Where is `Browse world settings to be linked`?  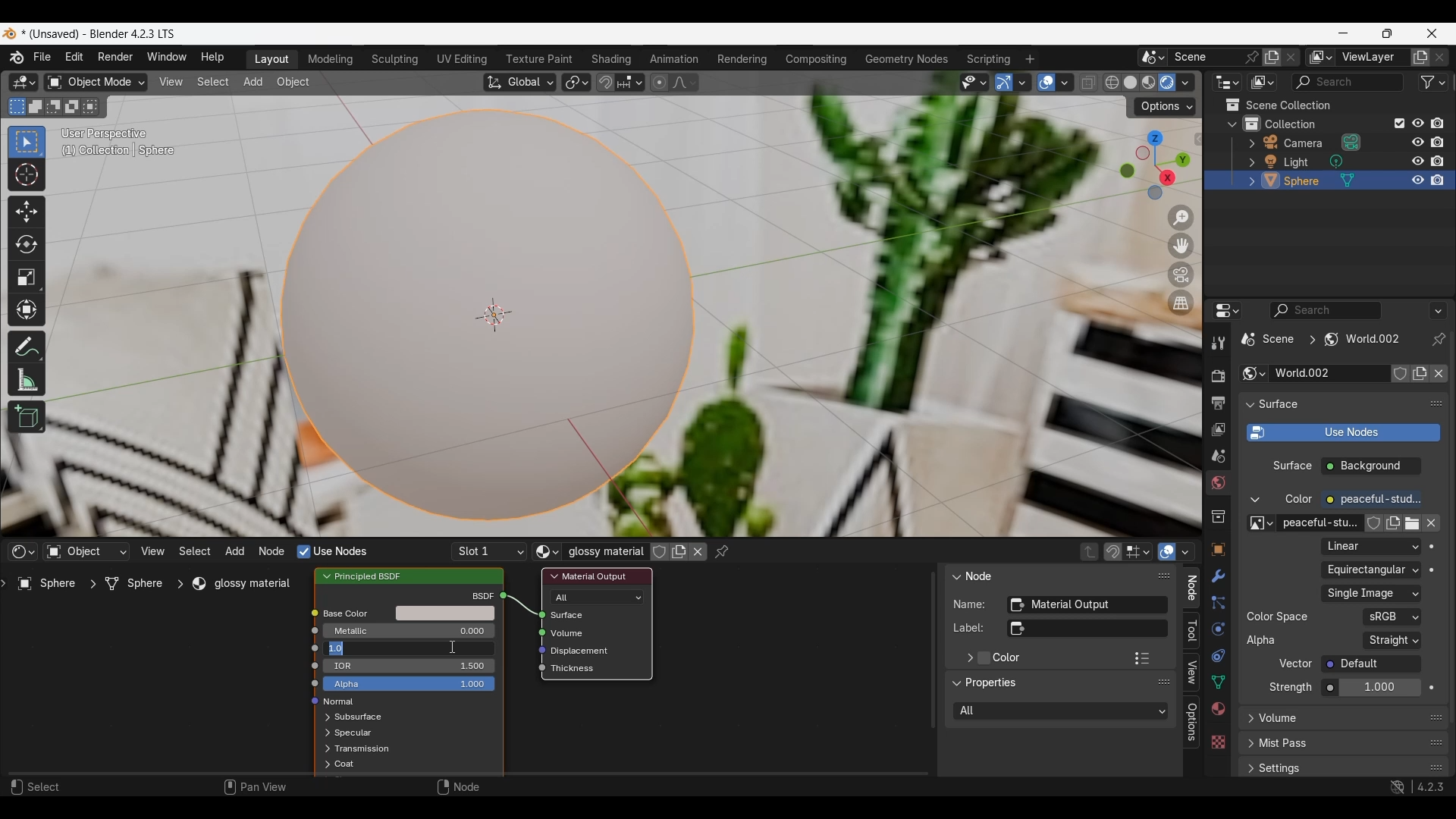
Browse world settings to be linked is located at coordinates (1254, 373).